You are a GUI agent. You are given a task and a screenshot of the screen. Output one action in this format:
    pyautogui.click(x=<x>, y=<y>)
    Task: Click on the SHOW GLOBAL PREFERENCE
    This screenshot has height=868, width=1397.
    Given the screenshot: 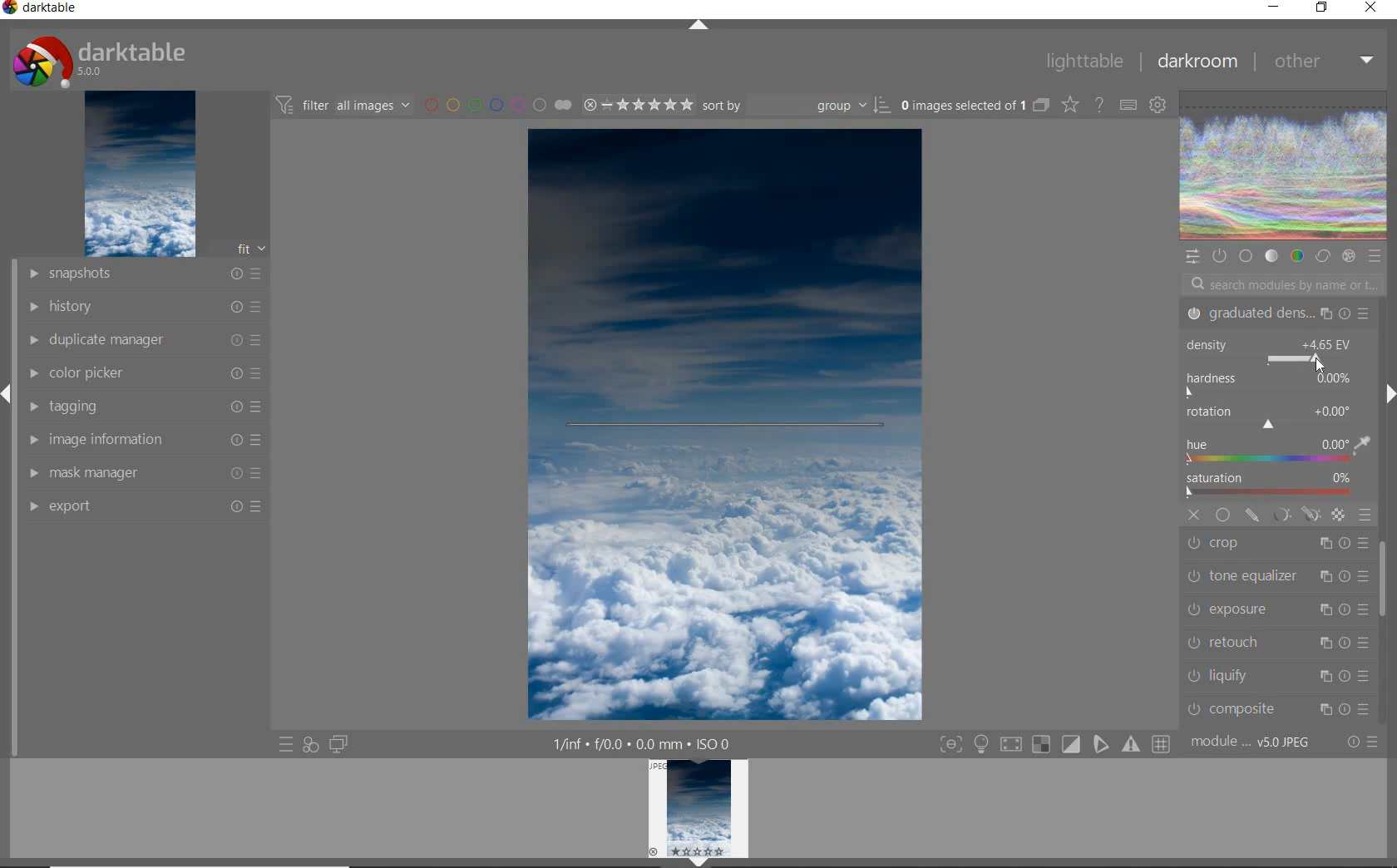 What is the action you would take?
    pyautogui.click(x=1157, y=106)
    